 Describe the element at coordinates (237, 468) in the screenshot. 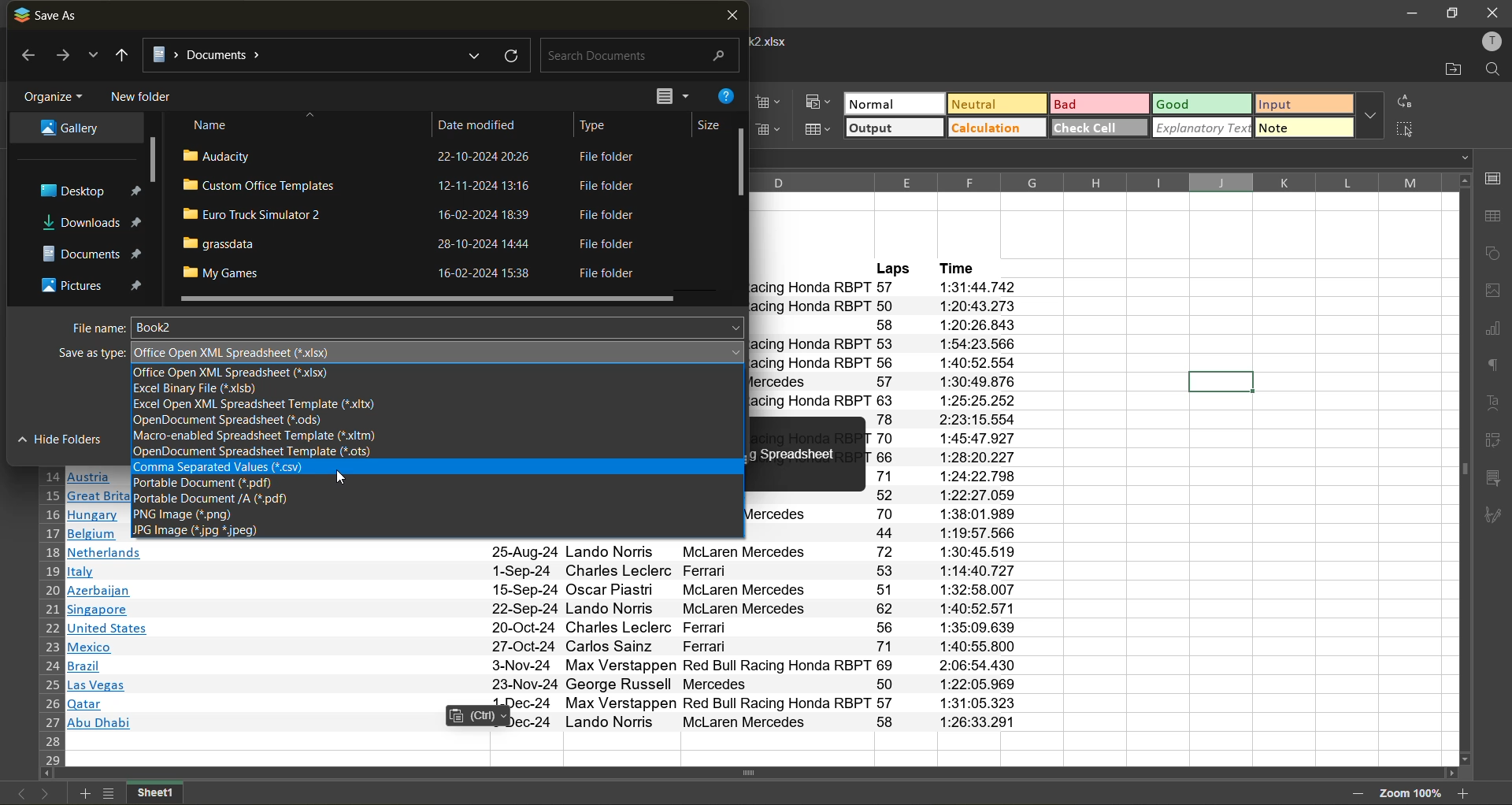

I see `csv` at that location.